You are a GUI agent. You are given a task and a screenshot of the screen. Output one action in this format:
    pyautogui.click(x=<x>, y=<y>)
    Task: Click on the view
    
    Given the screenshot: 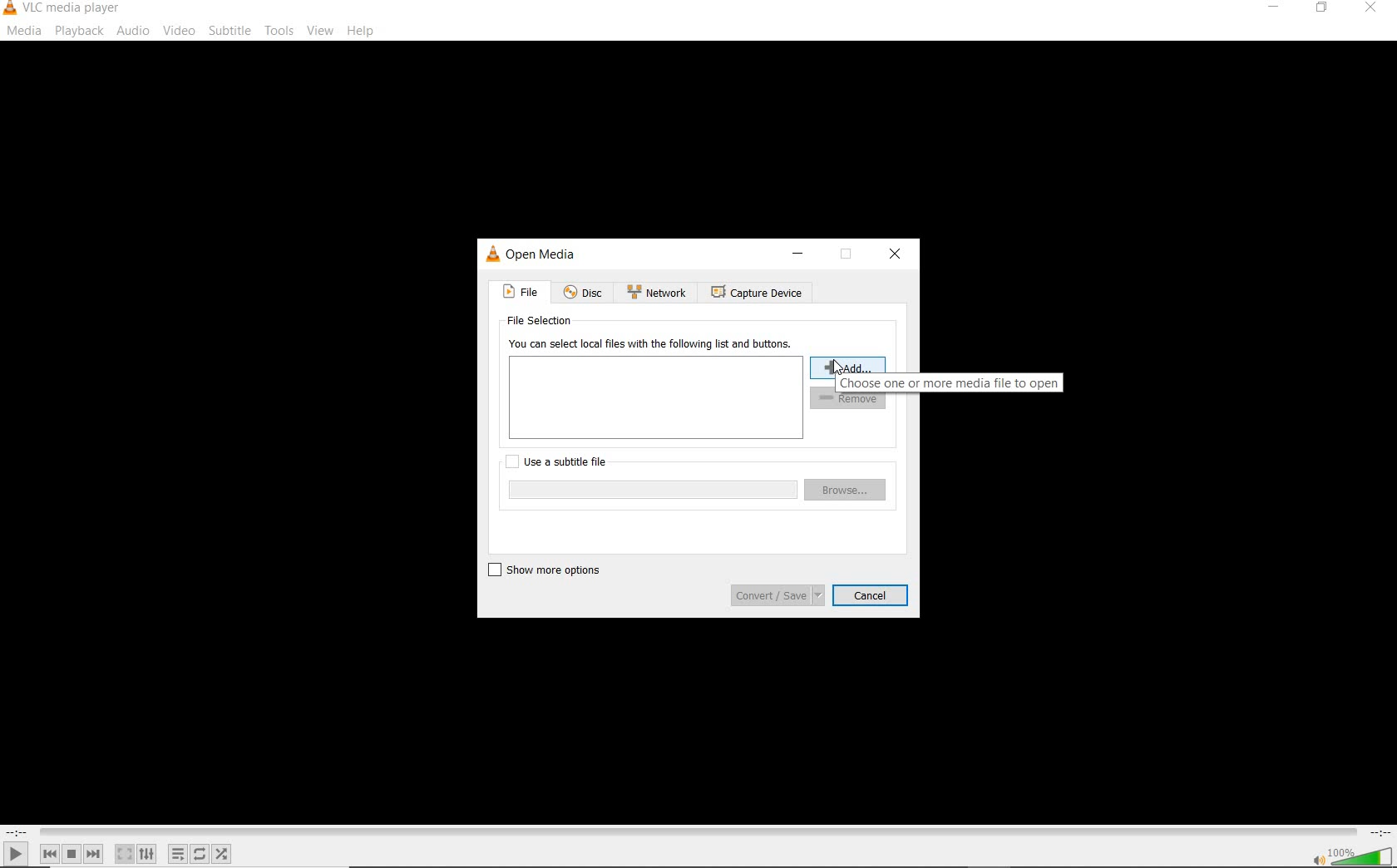 What is the action you would take?
    pyautogui.click(x=321, y=31)
    